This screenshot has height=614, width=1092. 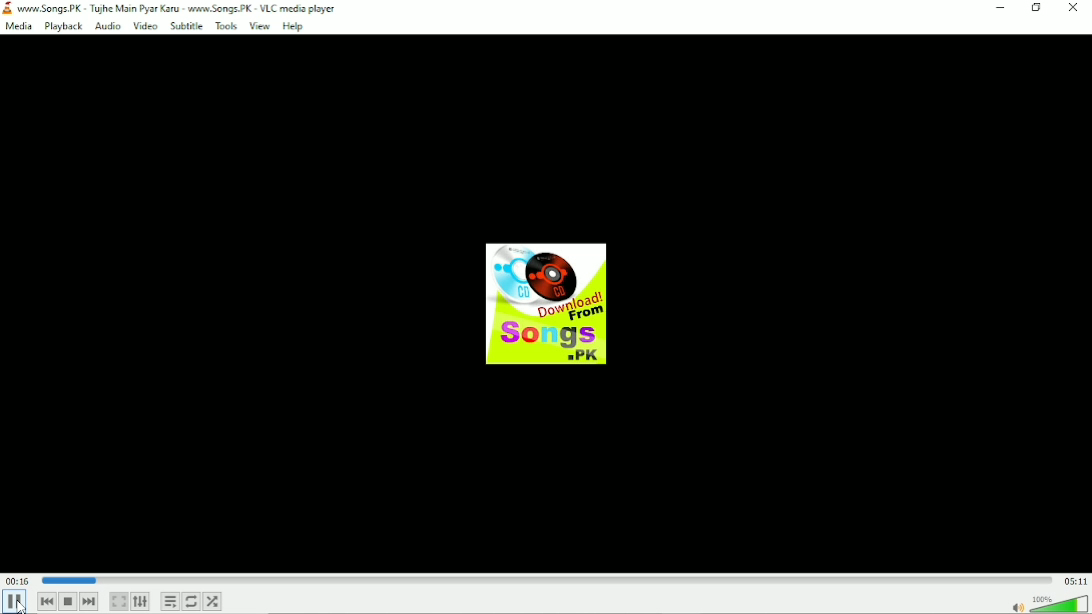 I want to click on Restore, so click(x=999, y=9).